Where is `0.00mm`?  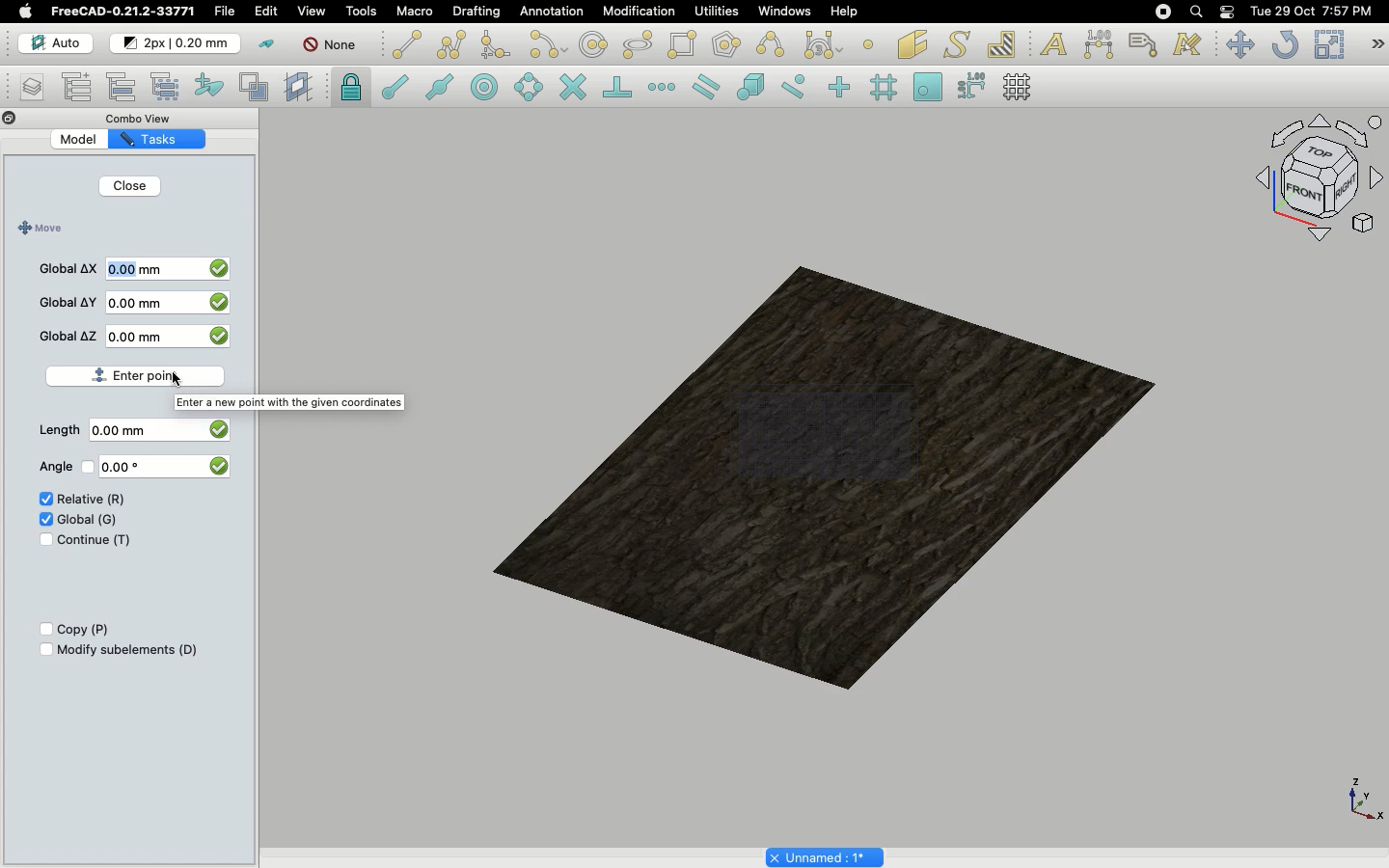
0.00mm is located at coordinates (170, 271).